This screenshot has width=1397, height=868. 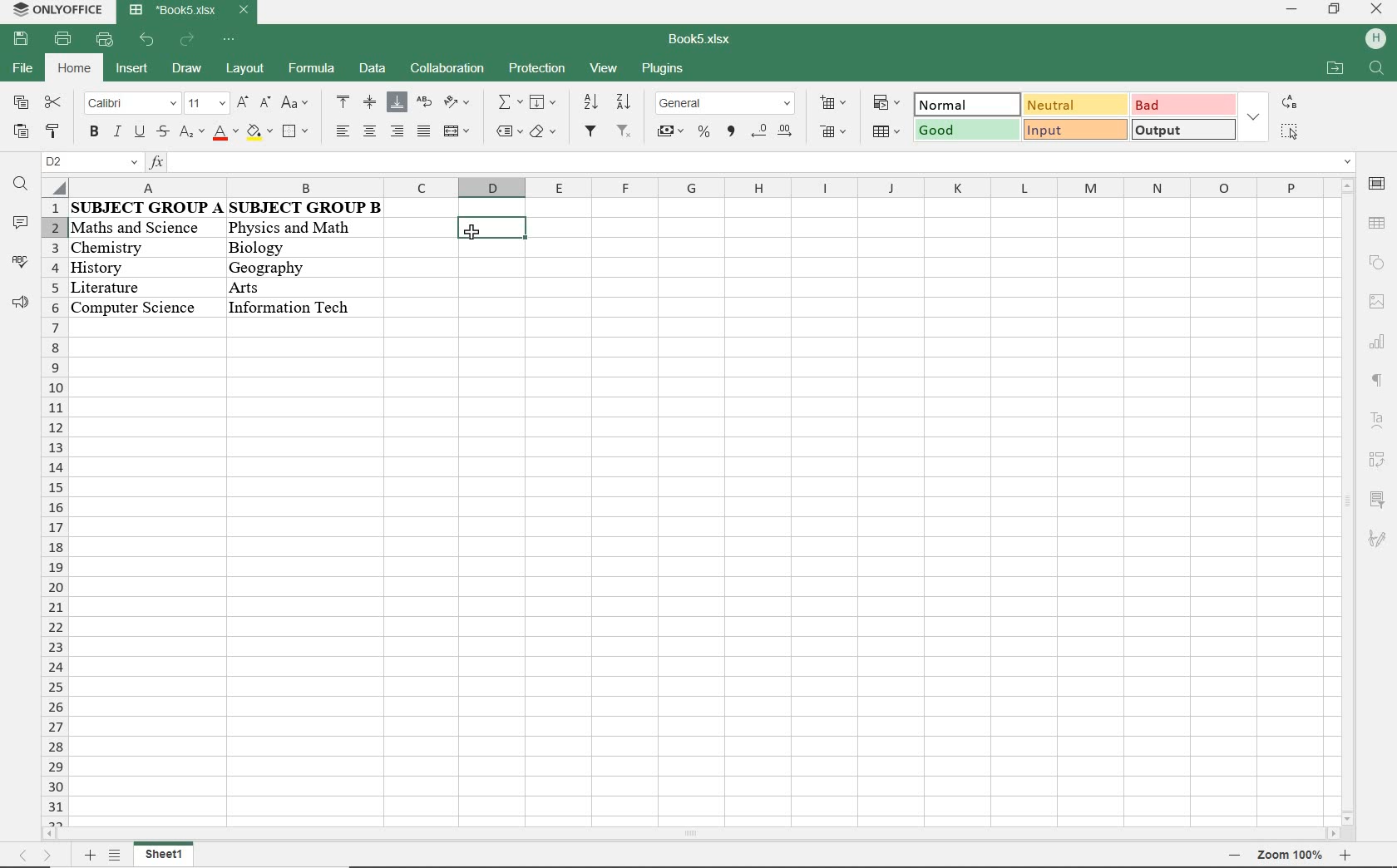 What do you see at coordinates (771, 131) in the screenshot?
I see `change decimal` at bounding box center [771, 131].